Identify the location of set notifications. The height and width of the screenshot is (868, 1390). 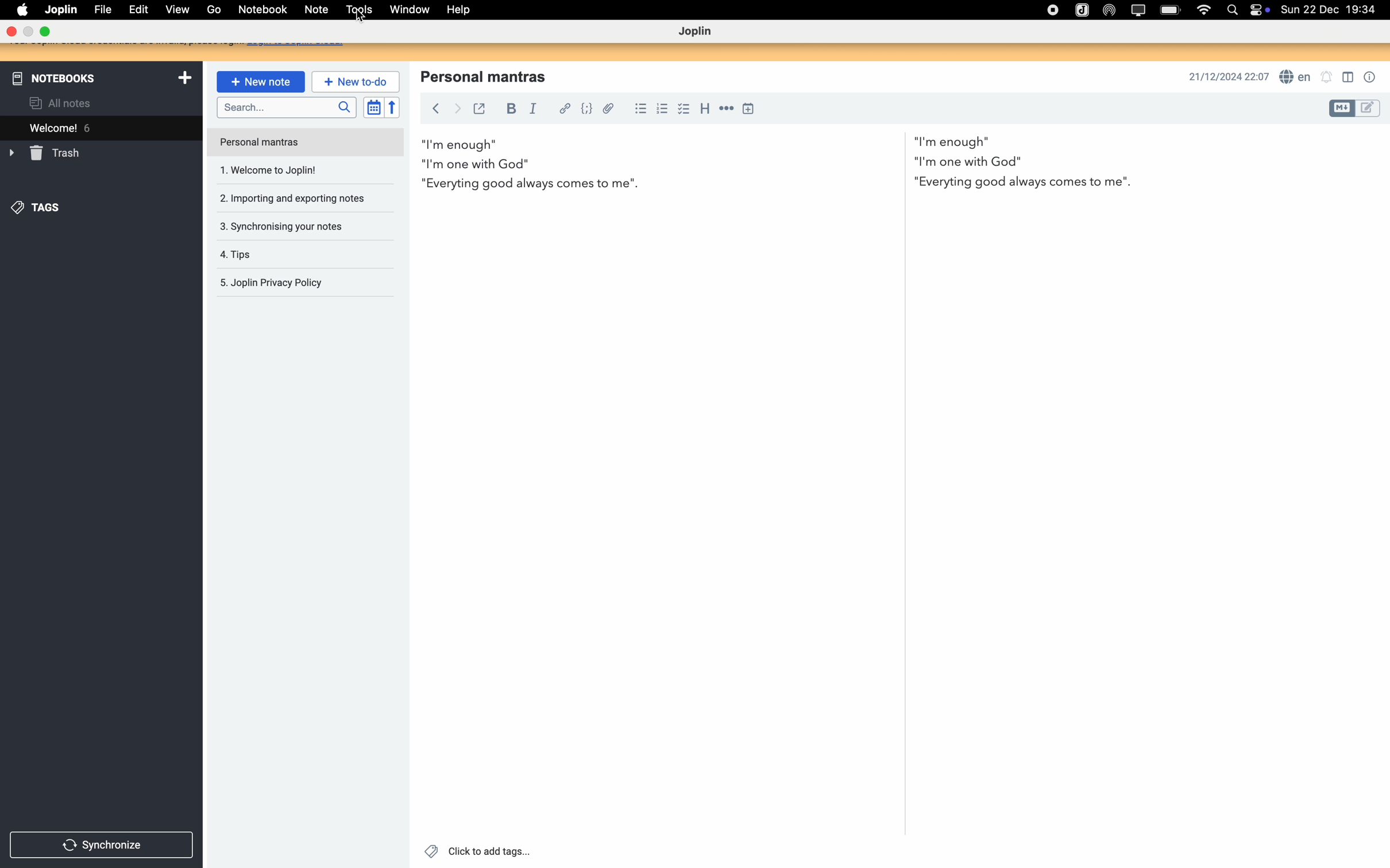
(1328, 76).